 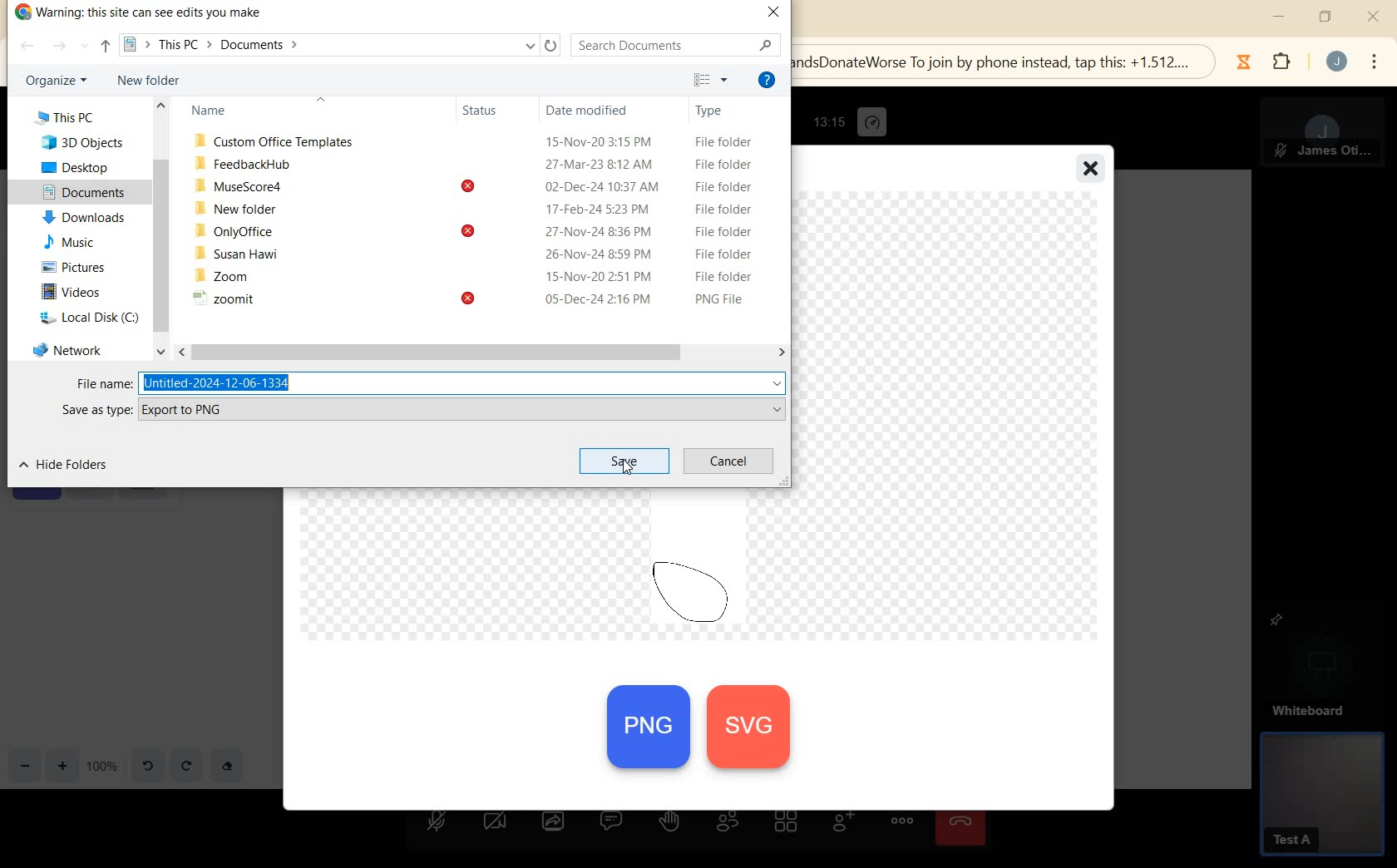 I want to click on SEARCH DOCUMENTS, so click(x=677, y=46).